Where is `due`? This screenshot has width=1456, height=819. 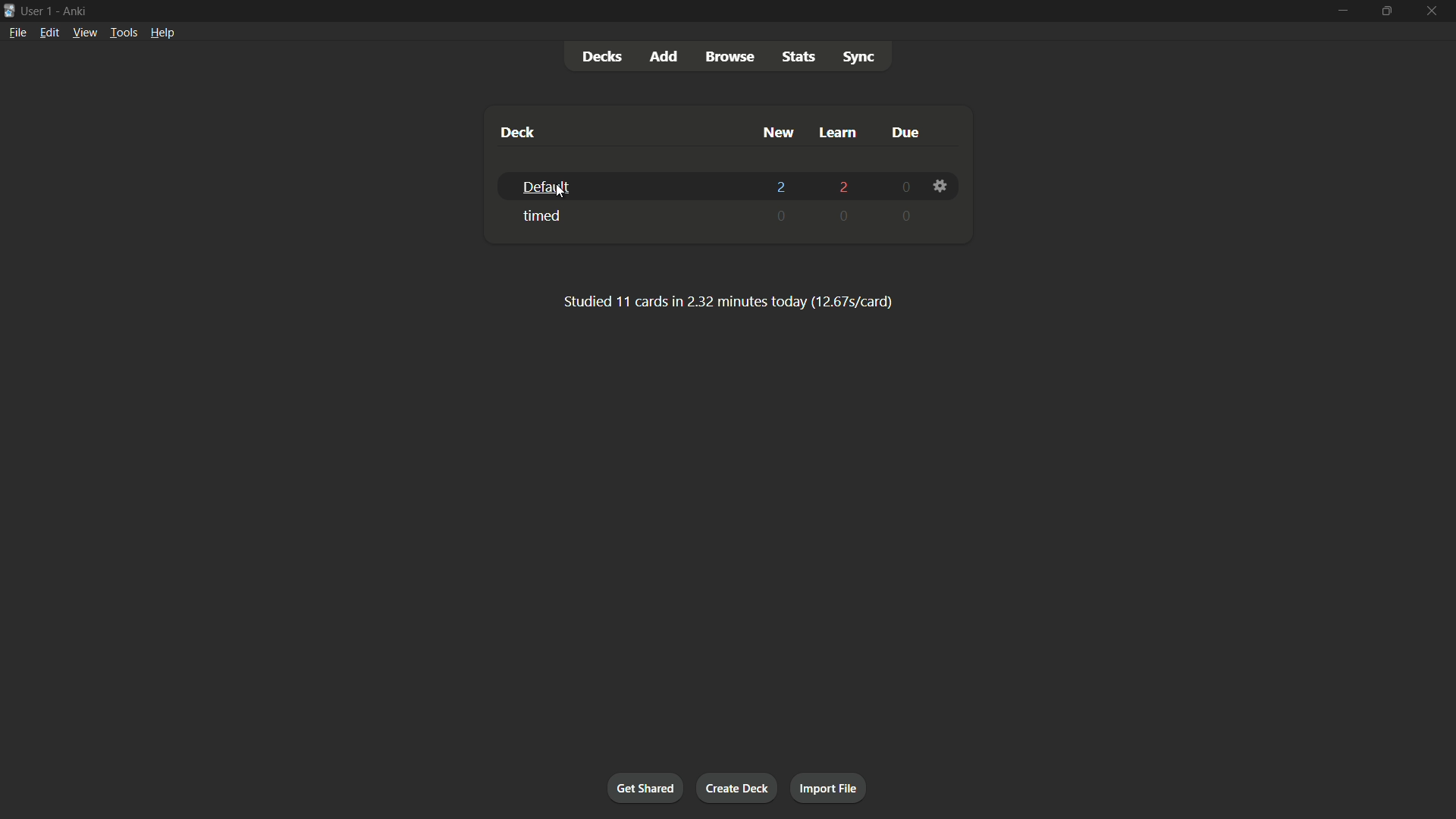
due is located at coordinates (900, 132).